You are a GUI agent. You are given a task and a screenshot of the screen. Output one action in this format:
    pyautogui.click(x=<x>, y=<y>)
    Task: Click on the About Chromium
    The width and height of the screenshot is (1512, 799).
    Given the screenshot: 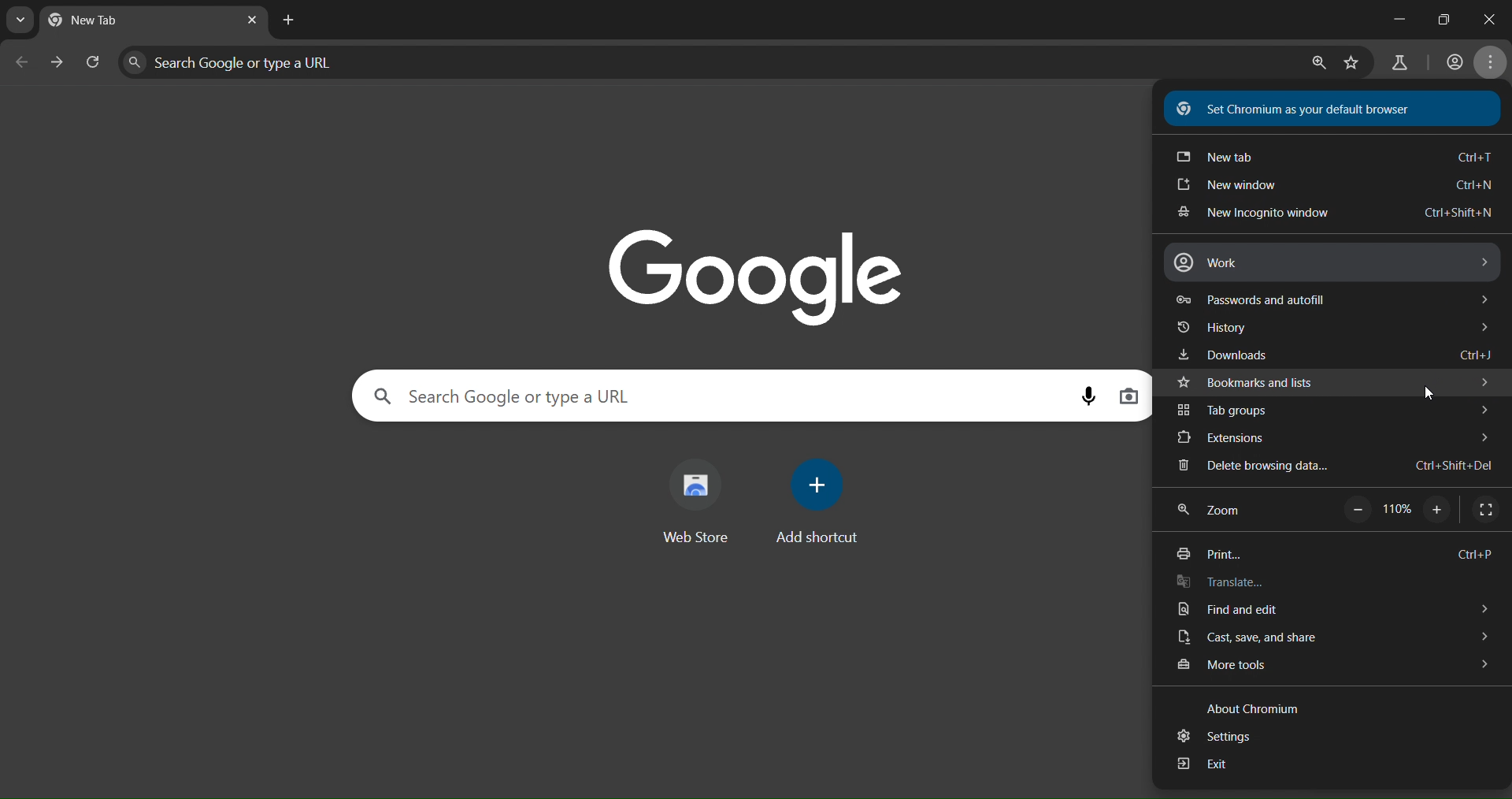 What is the action you would take?
    pyautogui.click(x=1259, y=711)
    